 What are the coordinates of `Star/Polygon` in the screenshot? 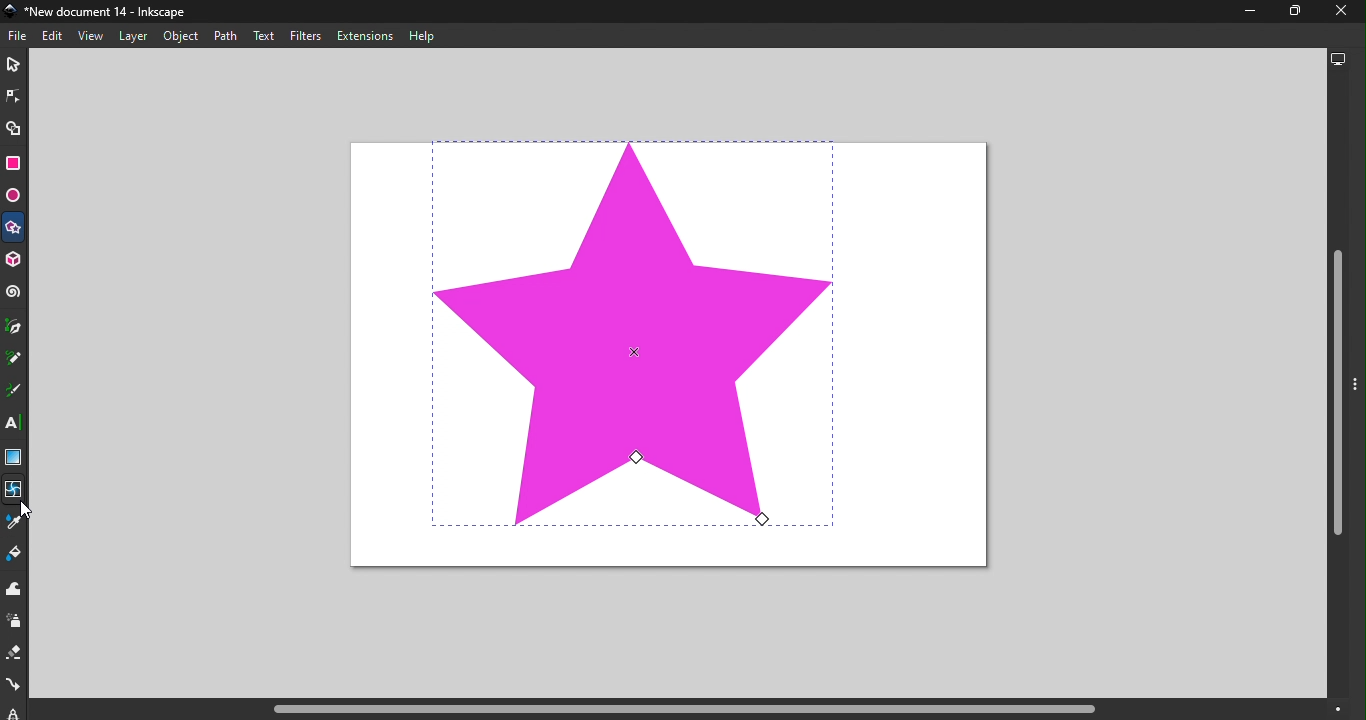 It's located at (14, 230).